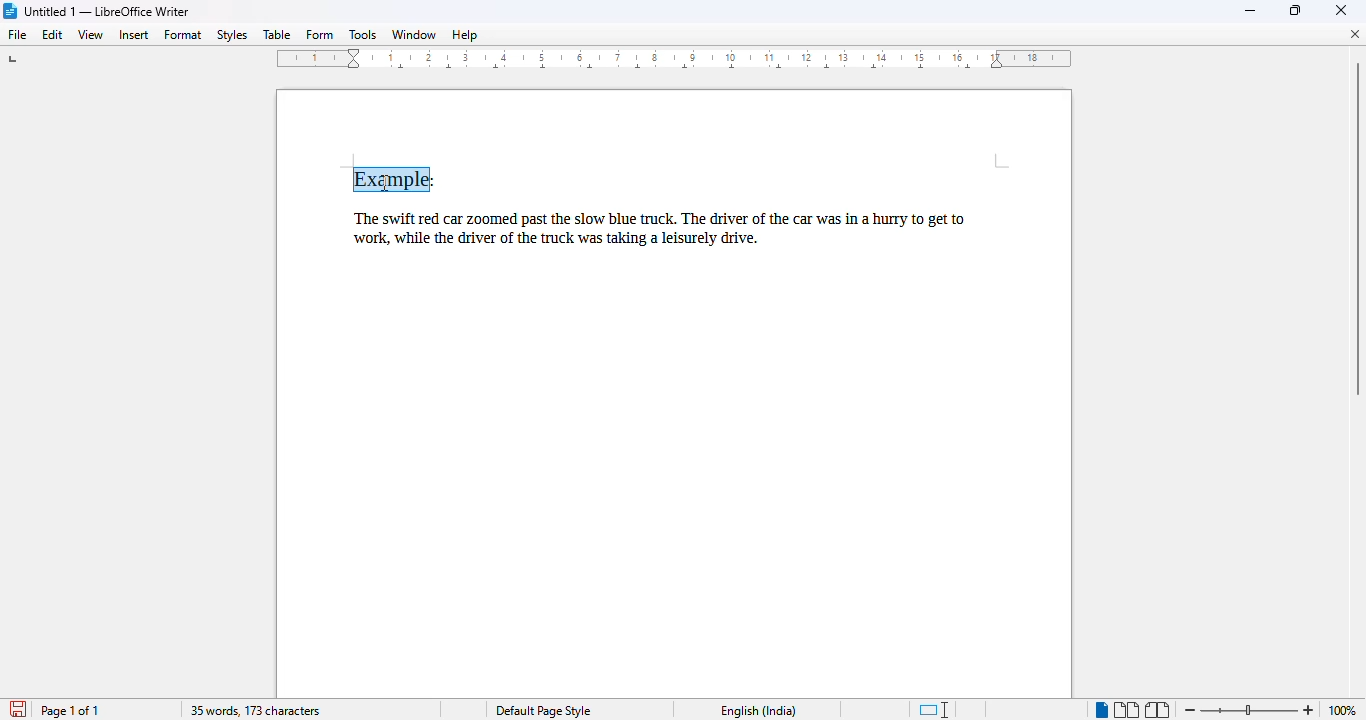 This screenshot has width=1366, height=720. What do you see at coordinates (1340, 11) in the screenshot?
I see `close` at bounding box center [1340, 11].